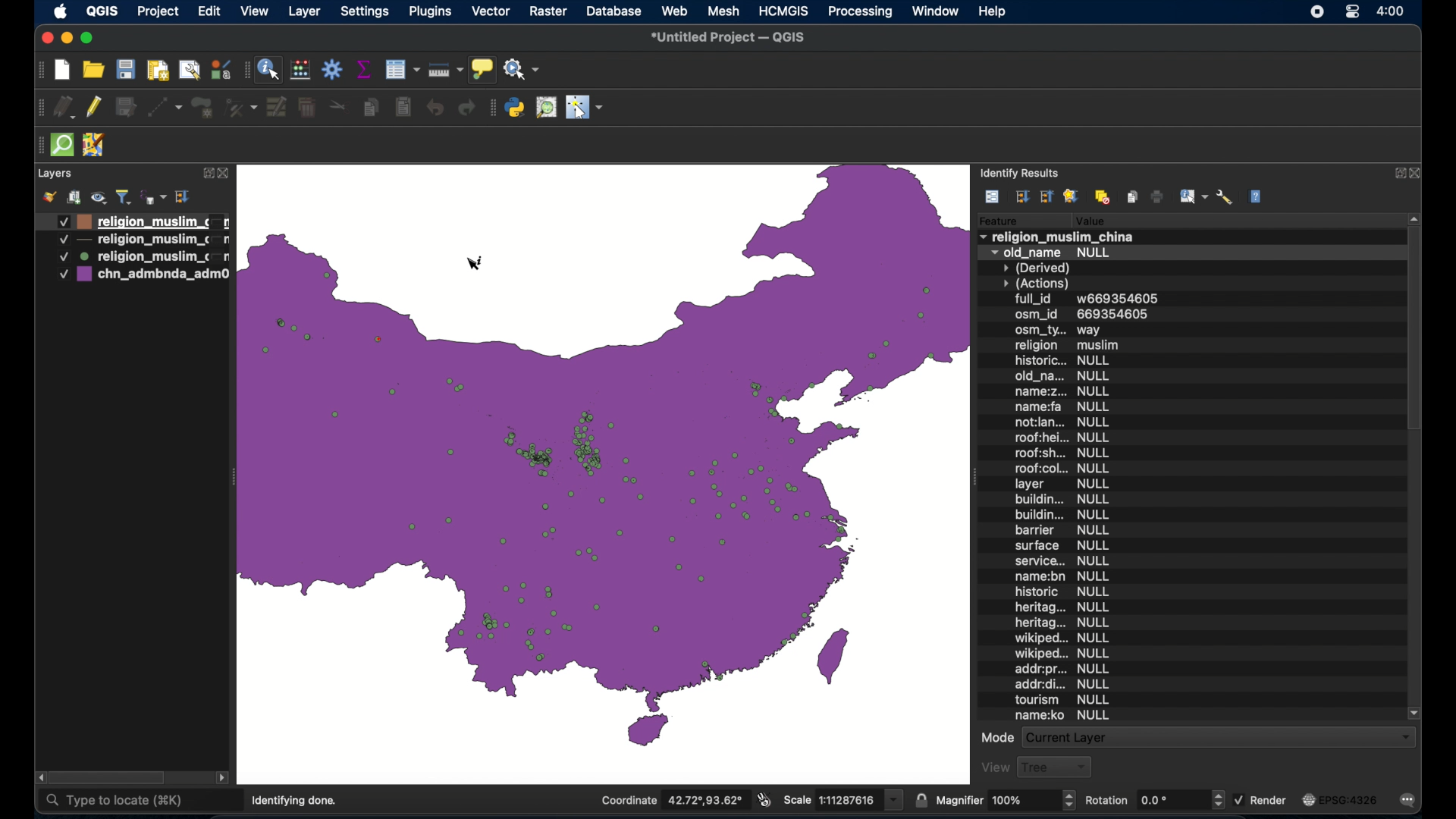 The height and width of the screenshot is (819, 1456). Describe the element at coordinates (1067, 347) in the screenshot. I see `religion` at that location.